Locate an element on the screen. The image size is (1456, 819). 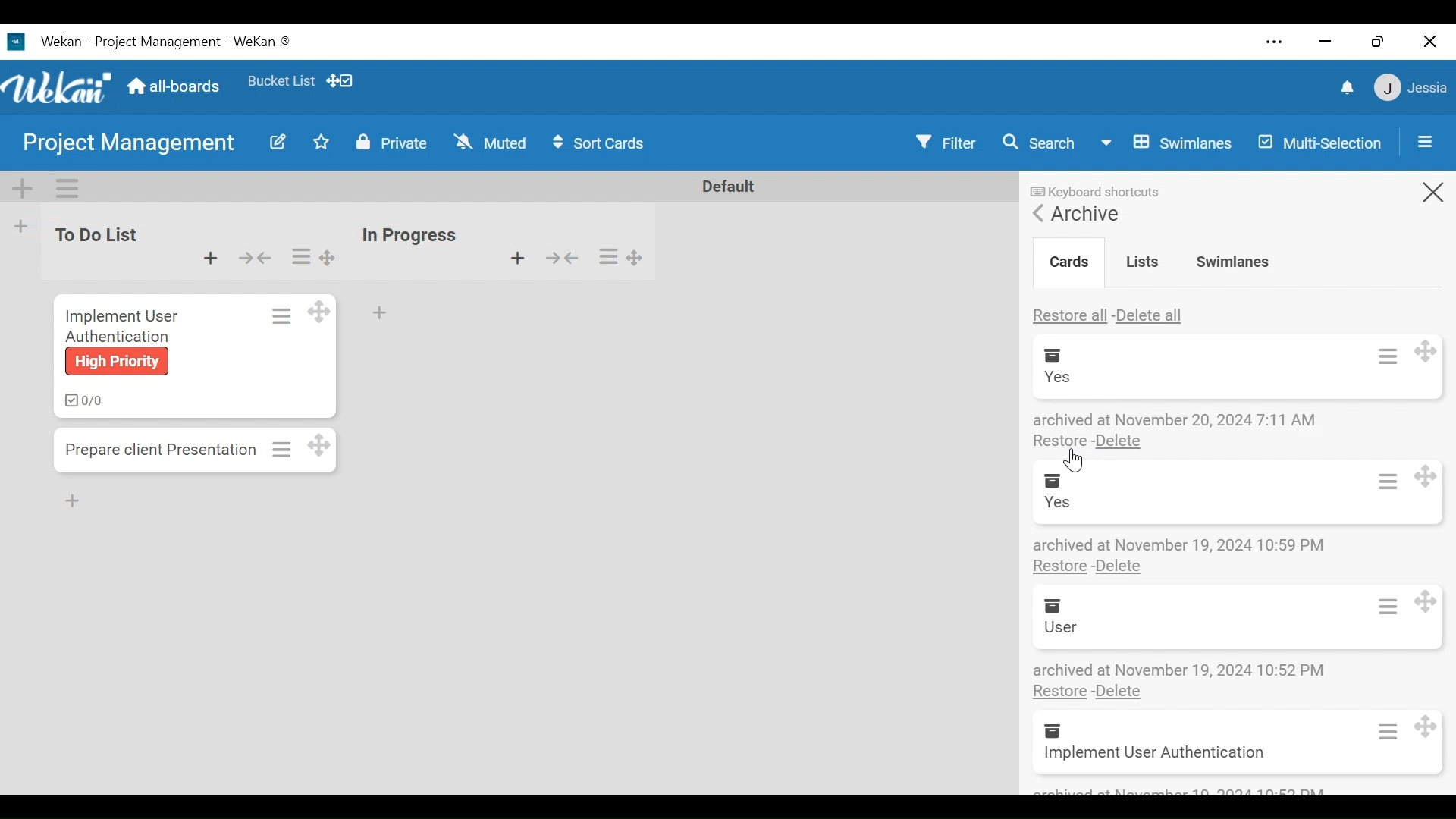
Archive Box  is located at coordinates (1058, 354).